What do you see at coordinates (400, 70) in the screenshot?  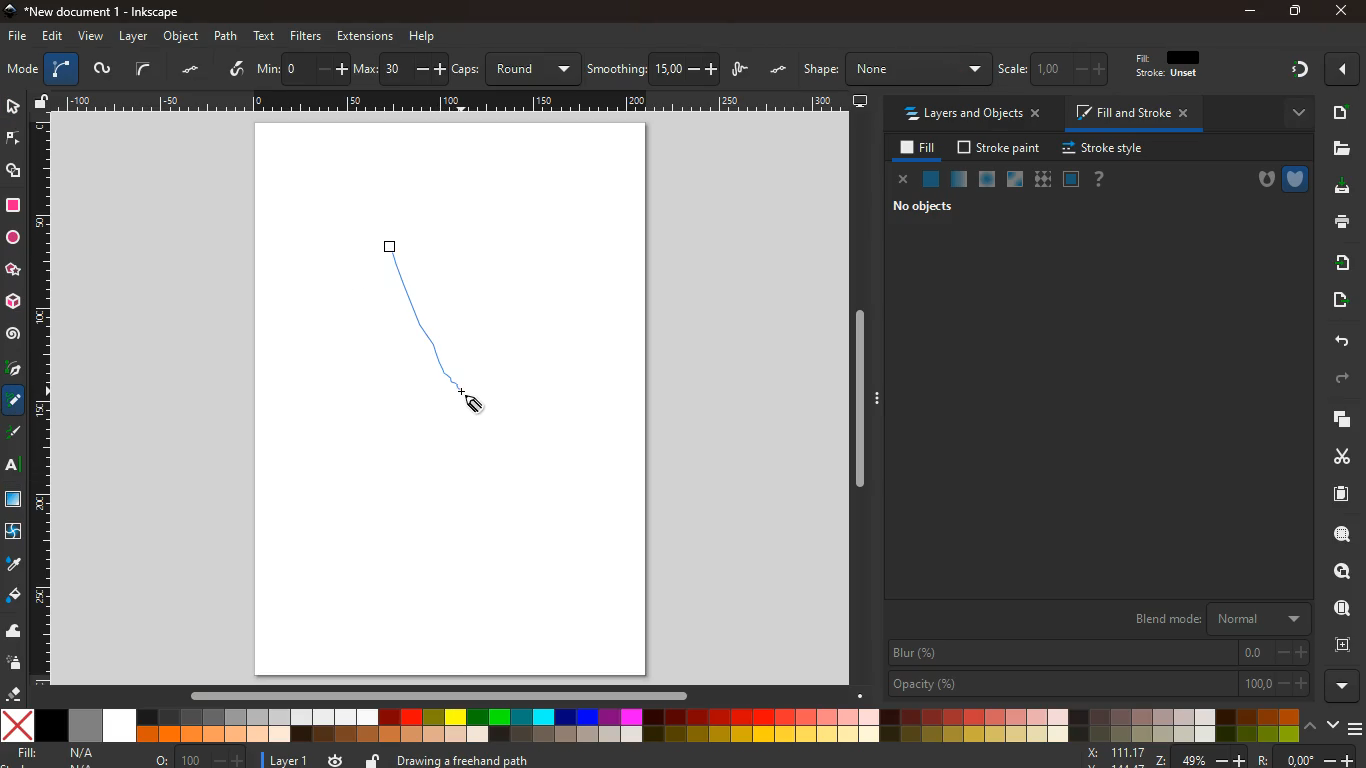 I see `max` at bounding box center [400, 70].